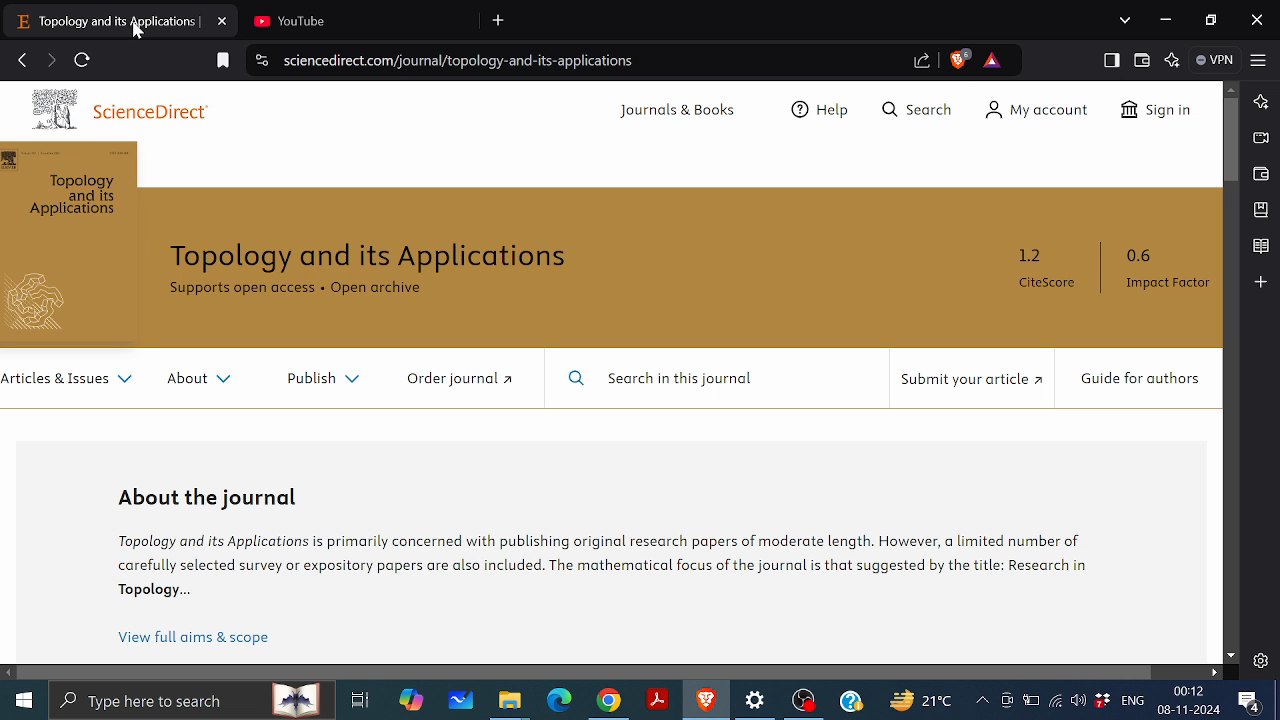 This screenshot has width=1280, height=720. I want to click on Adobe reader, so click(658, 700).